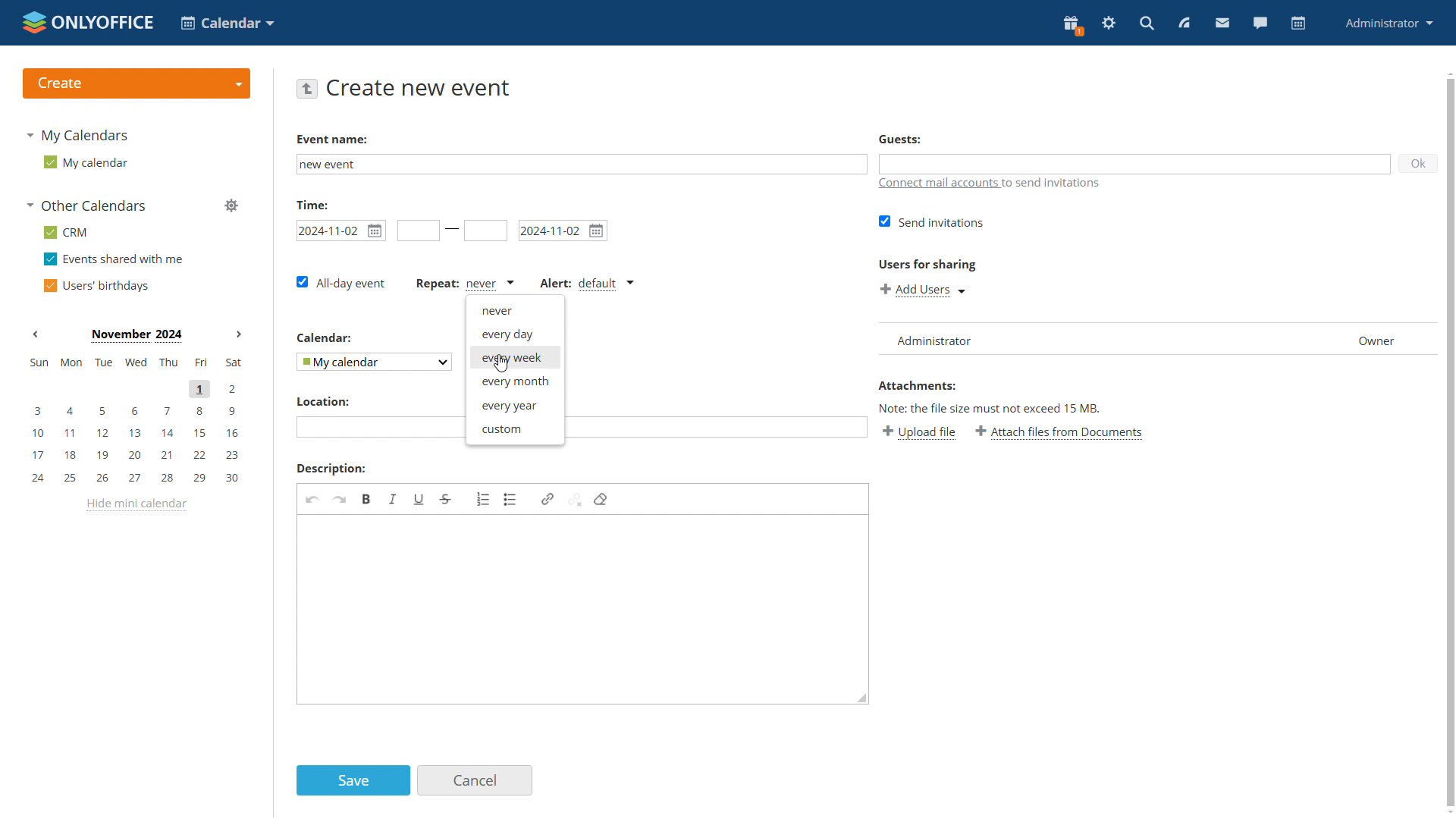 The image size is (1456, 819). I want to click on edit description, so click(585, 610).